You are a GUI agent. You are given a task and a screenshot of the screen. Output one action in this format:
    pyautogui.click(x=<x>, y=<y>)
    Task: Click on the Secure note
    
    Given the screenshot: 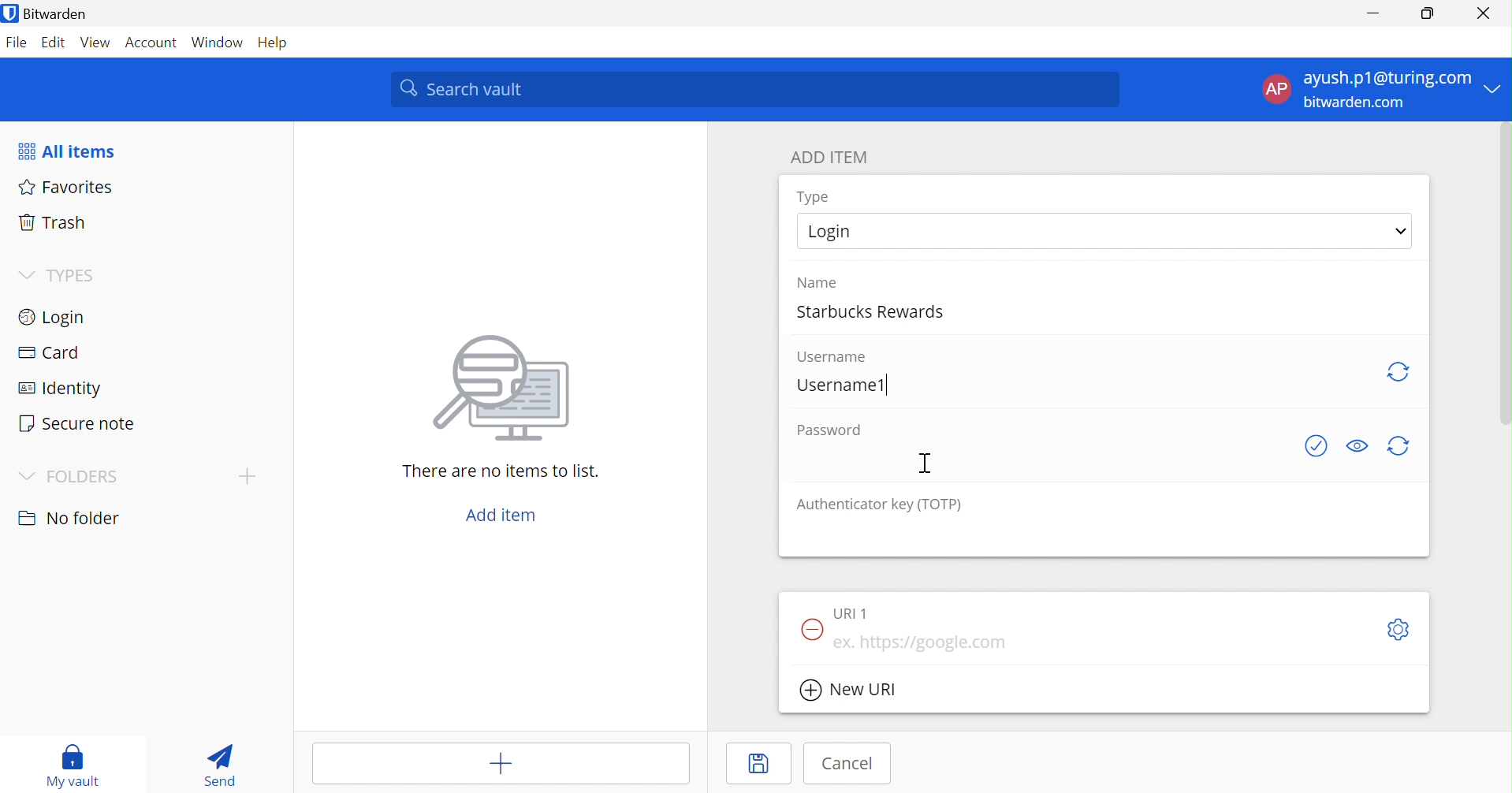 What is the action you would take?
    pyautogui.click(x=77, y=423)
    